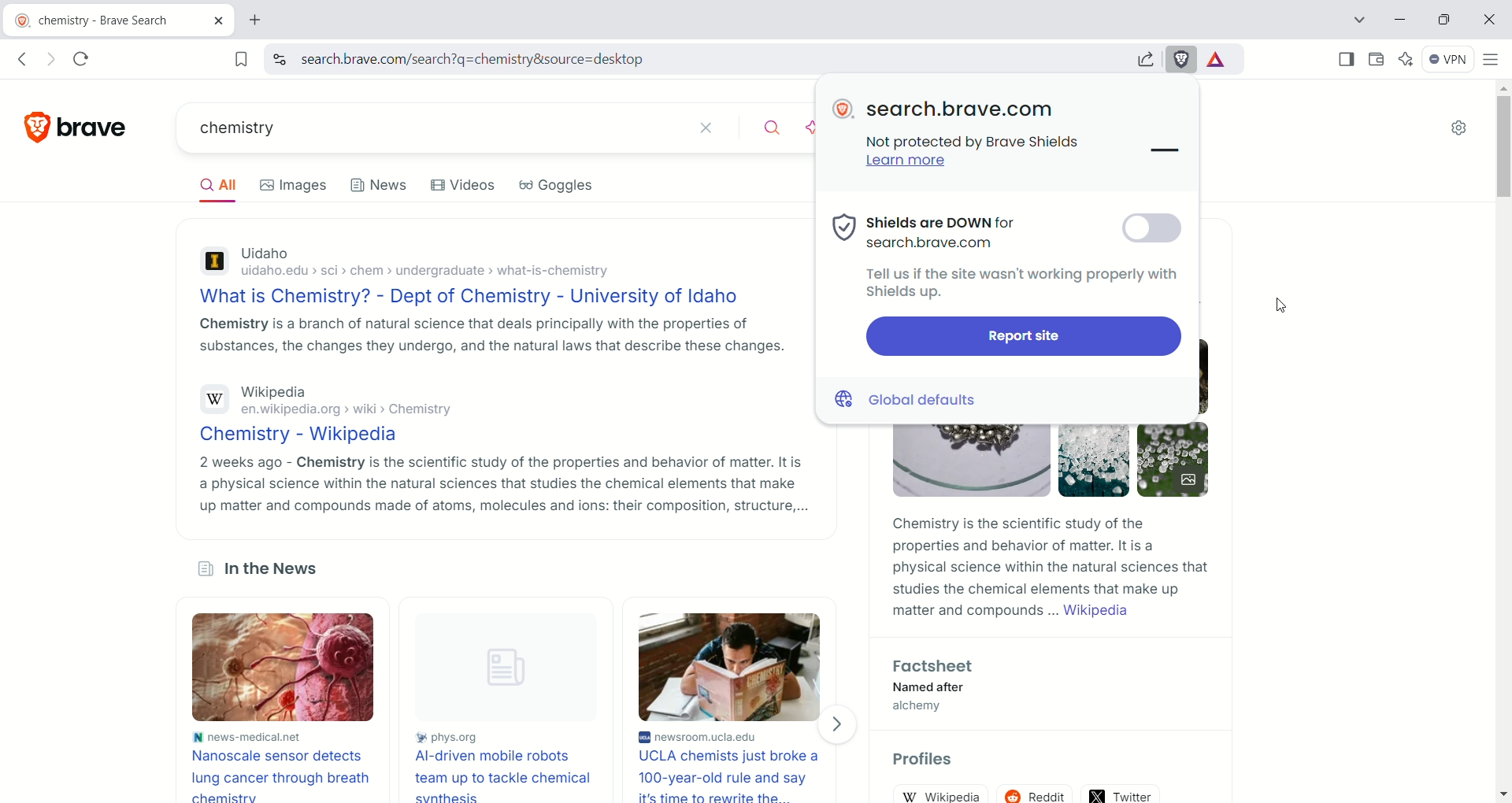 Image resolution: width=1512 pixels, height=803 pixels. I want to click on Global defaults, so click(911, 398).